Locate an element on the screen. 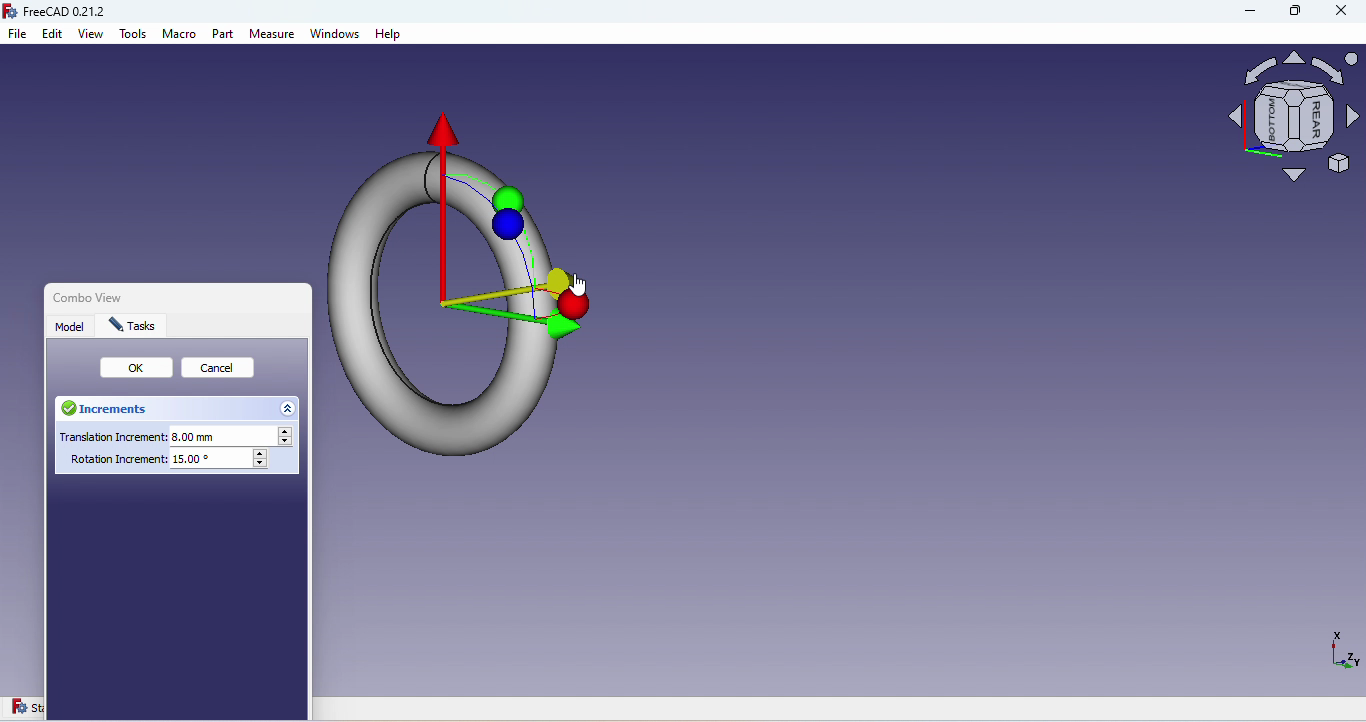 The image size is (1366, 722). Macro is located at coordinates (180, 37).